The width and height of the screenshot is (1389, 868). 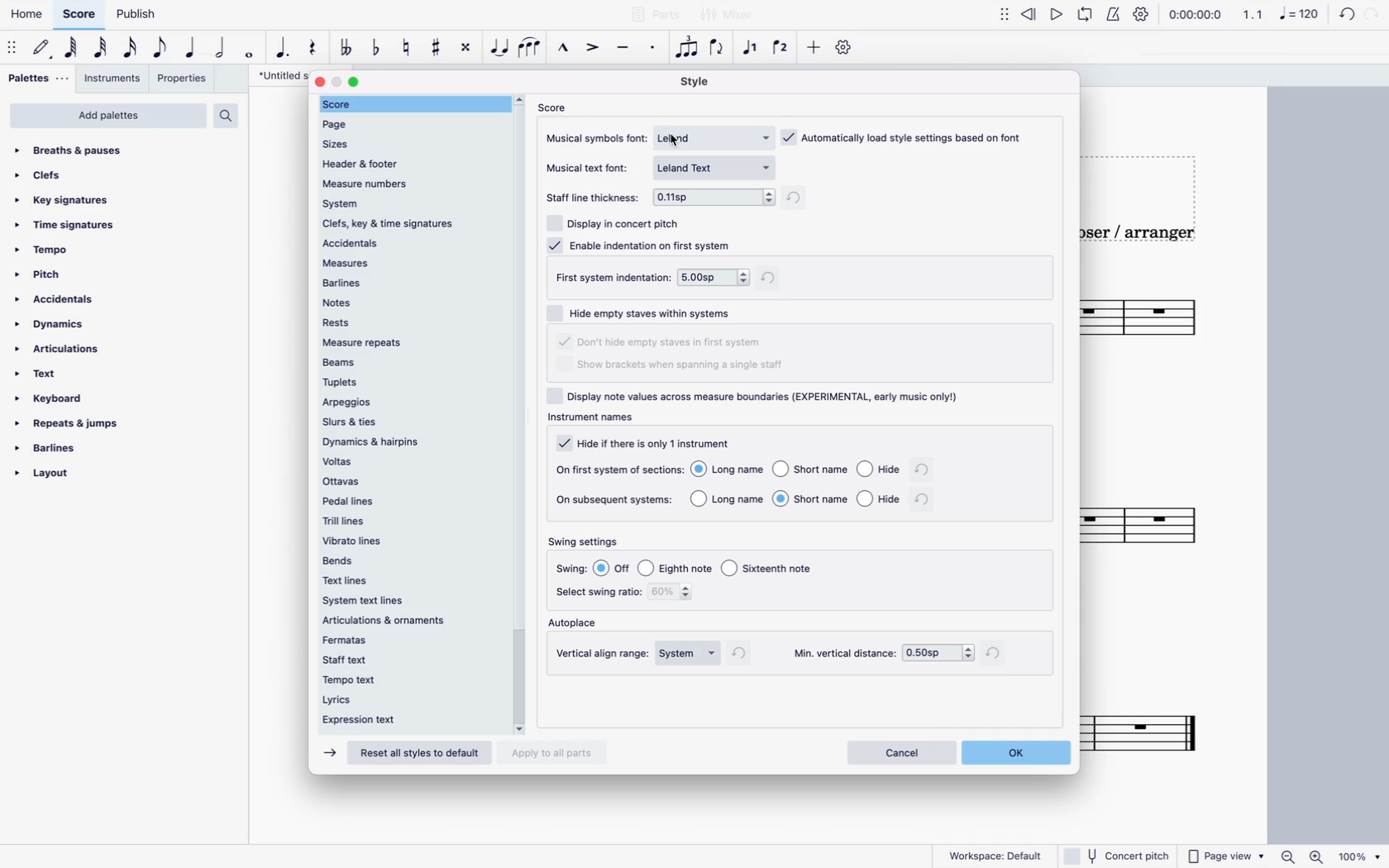 What do you see at coordinates (1227, 856) in the screenshot?
I see `Page view` at bounding box center [1227, 856].